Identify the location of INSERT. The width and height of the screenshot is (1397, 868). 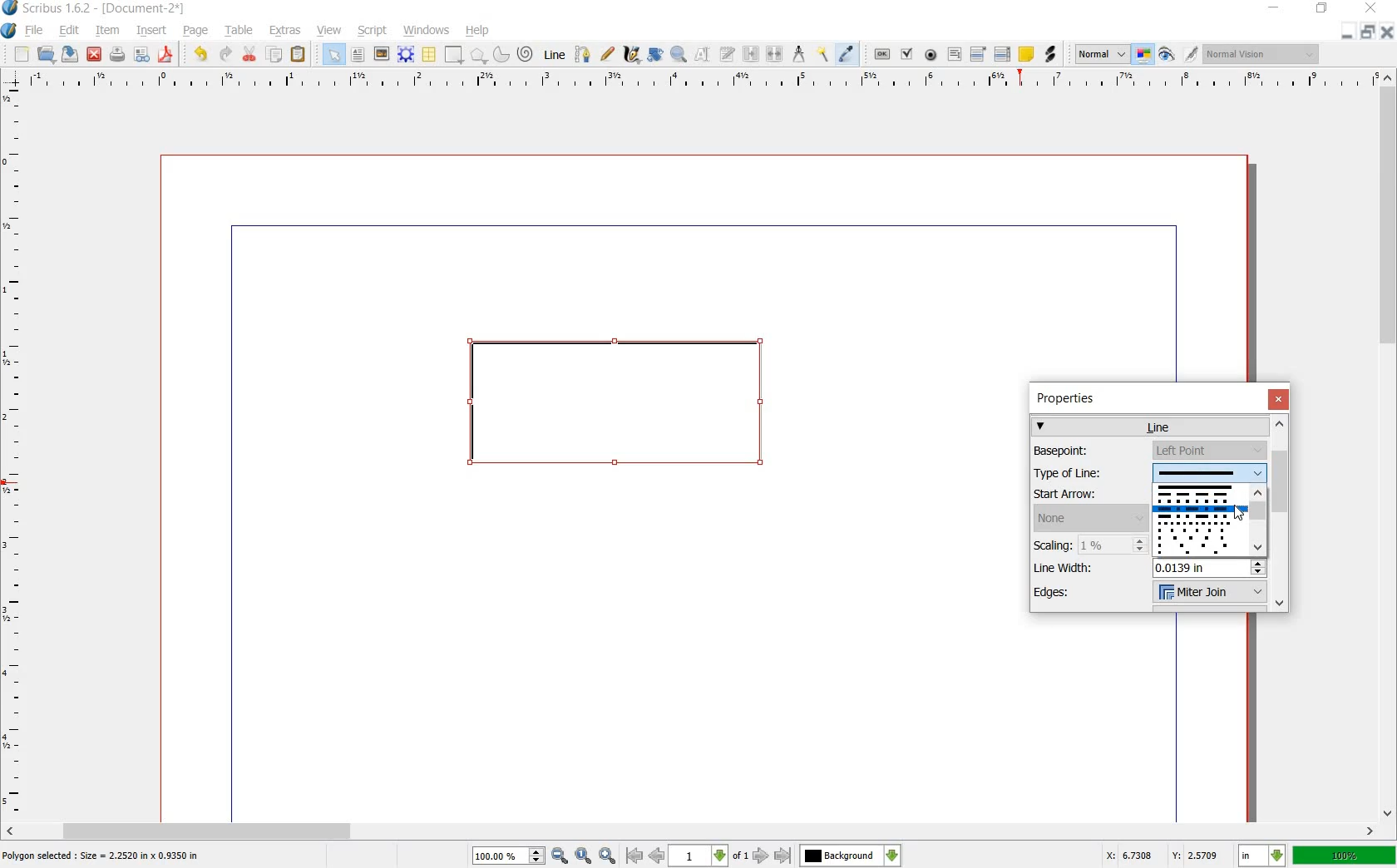
(151, 31).